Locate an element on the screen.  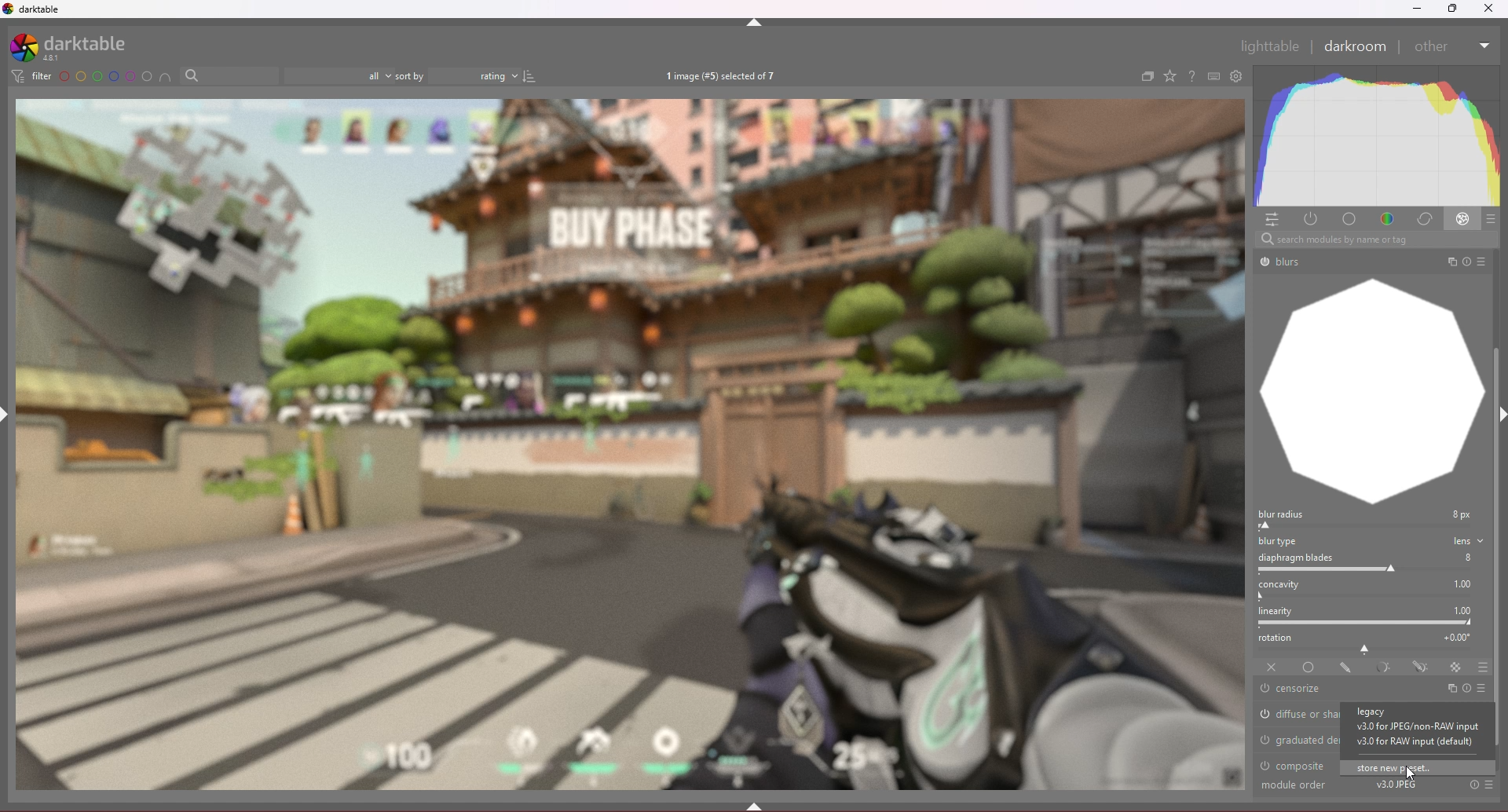
active modules is located at coordinates (1311, 219).